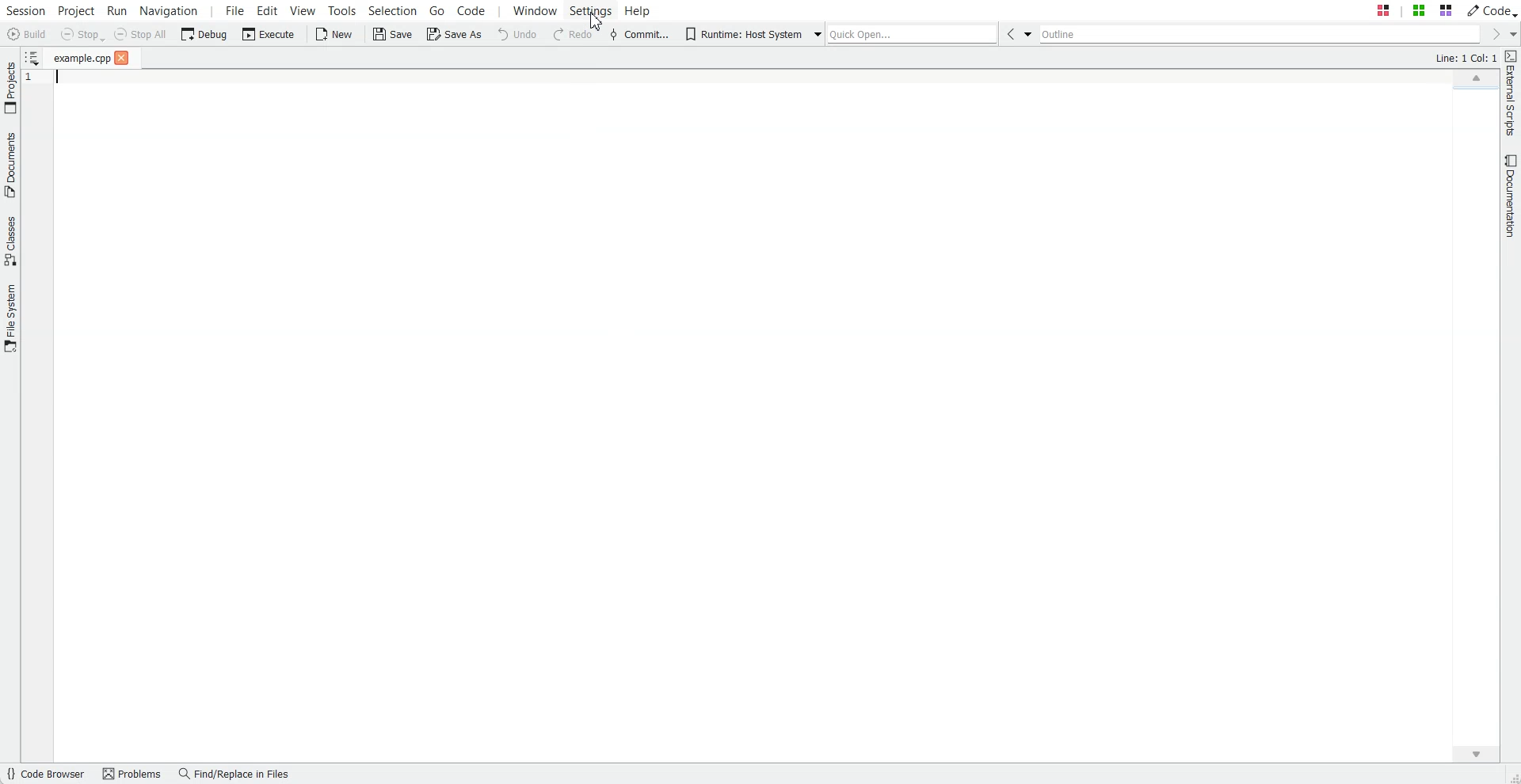 This screenshot has width=1521, height=784. I want to click on Text, so click(1465, 59).